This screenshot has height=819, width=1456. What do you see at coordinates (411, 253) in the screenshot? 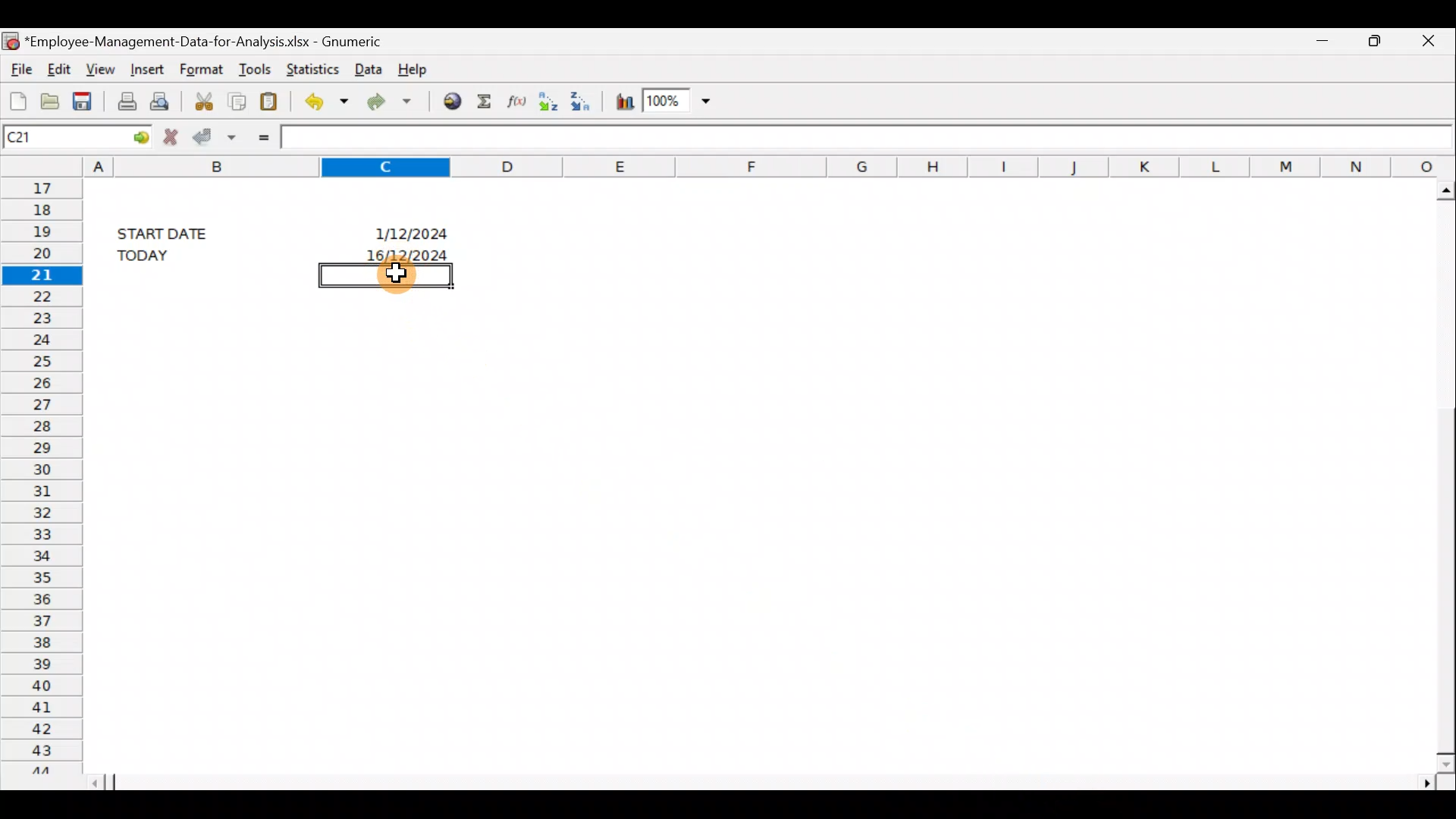
I see `16/12/2024` at bounding box center [411, 253].